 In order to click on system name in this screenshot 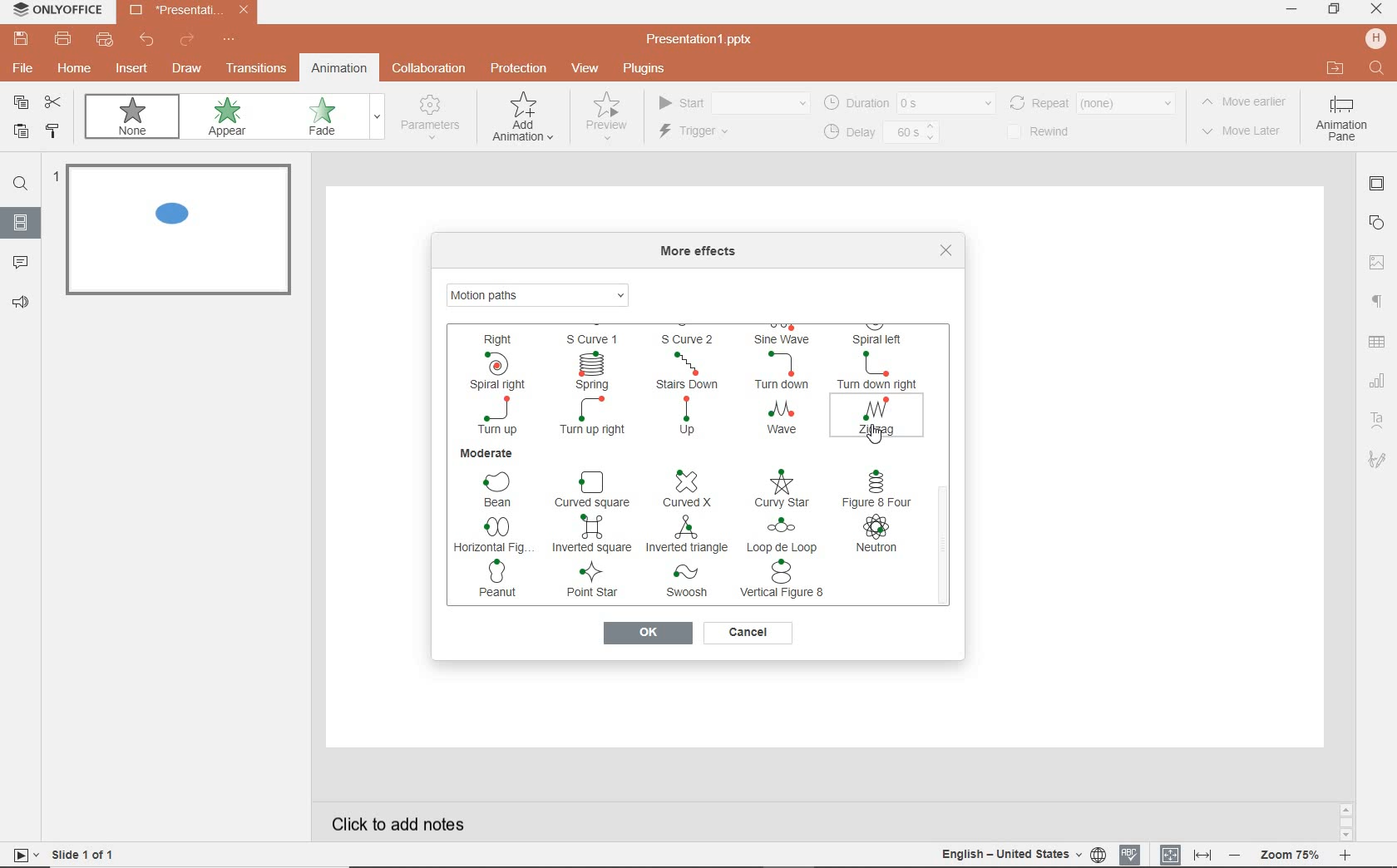, I will do `click(57, 10)`.